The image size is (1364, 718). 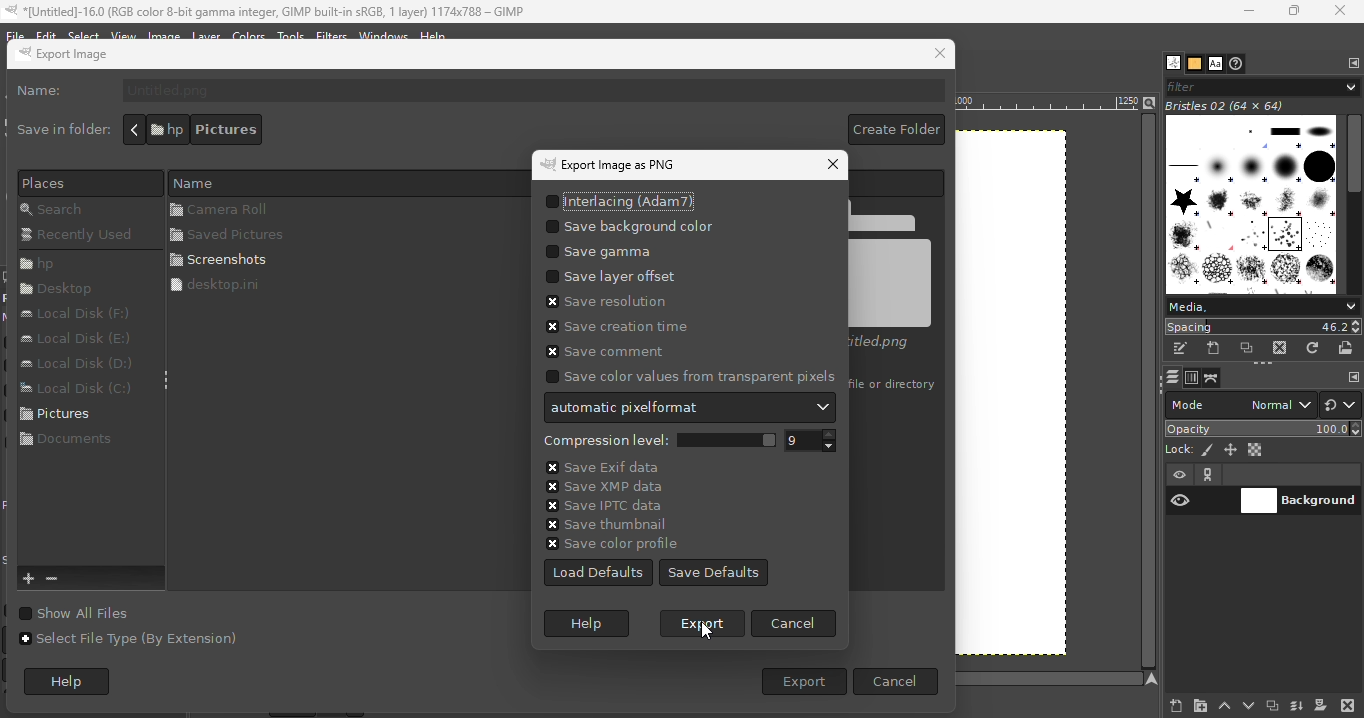 What do you see at coordinates (1180, 349) in the screenshot?
I see `Edit this brush` at bounding box center [1180, 349].